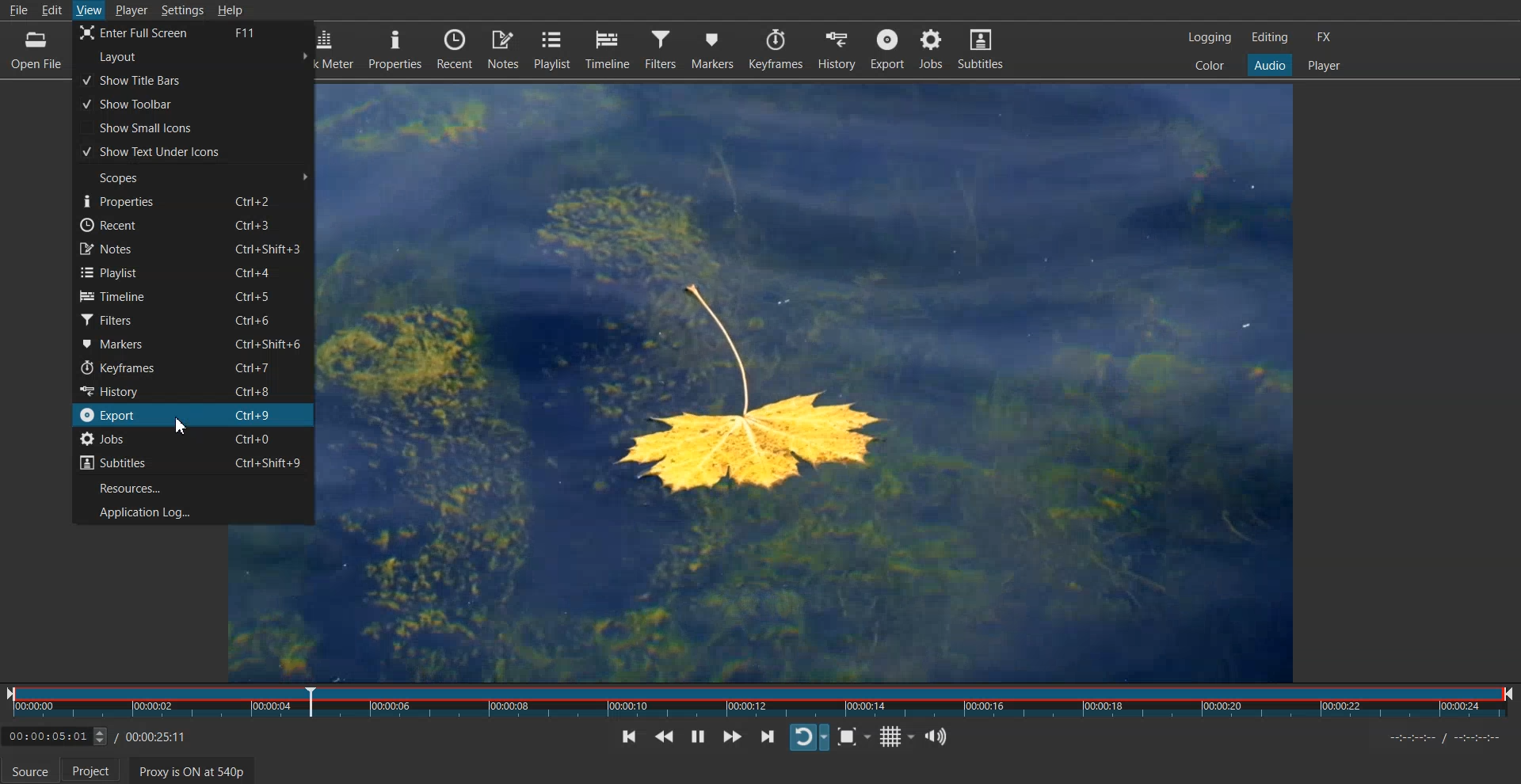 The width and height of the screenshot is (1521, 784). I want to click on Skip to the previous point, so click(627, 736).